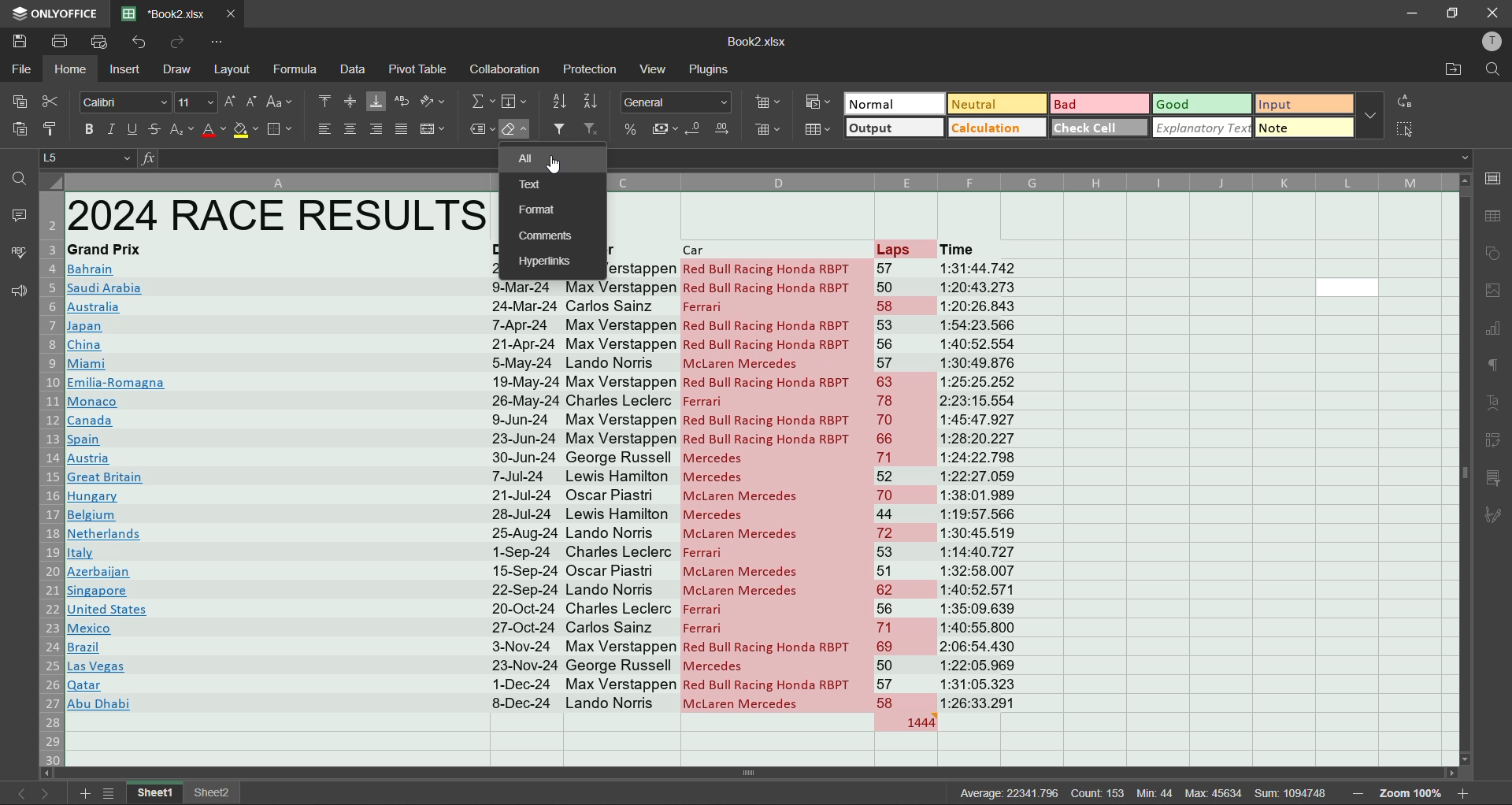  Describe the element at coordinates (536, 210) in the screenshot. I see `format` at that location.